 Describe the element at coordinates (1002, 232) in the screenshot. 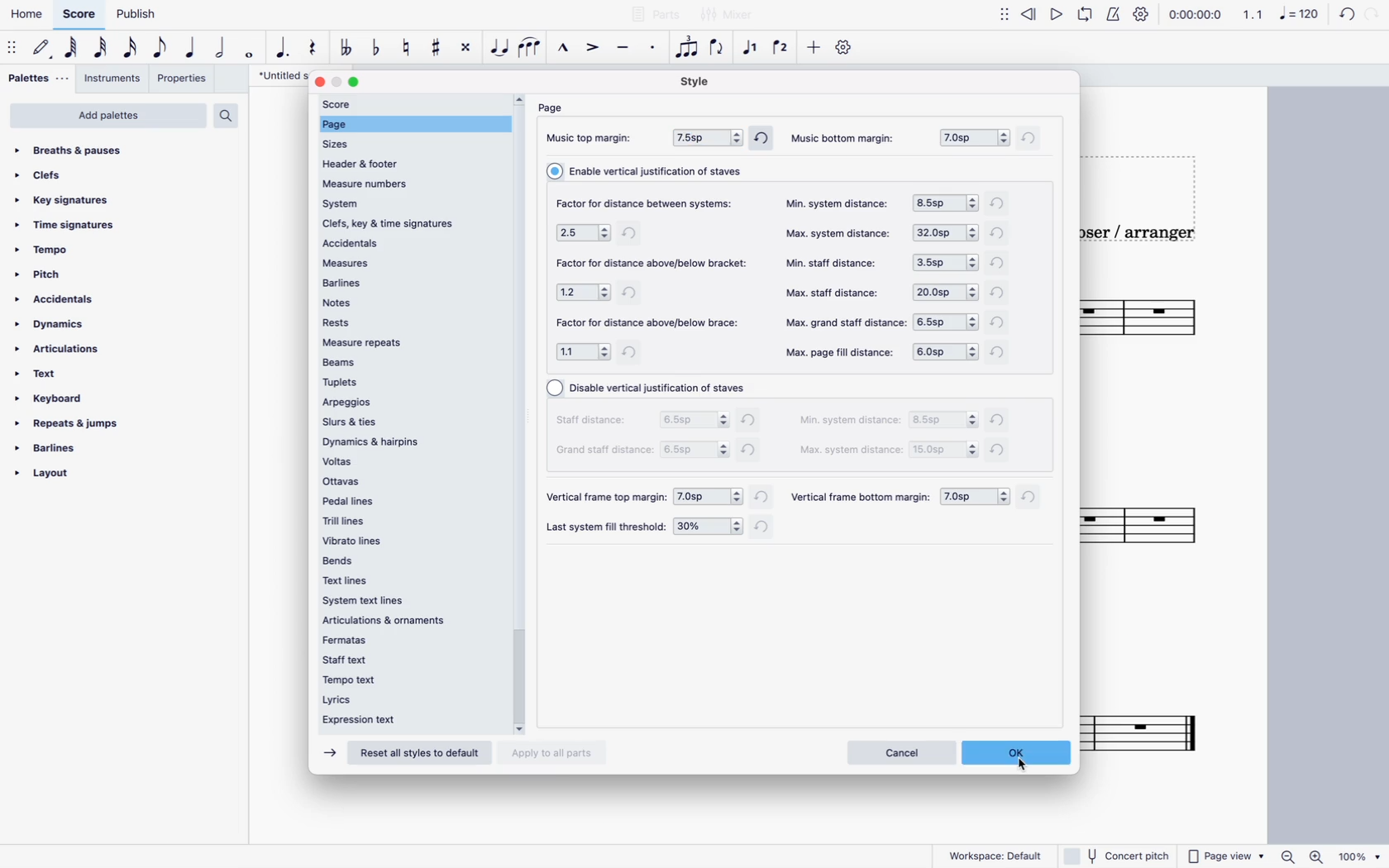

I see `refresh` at that location.